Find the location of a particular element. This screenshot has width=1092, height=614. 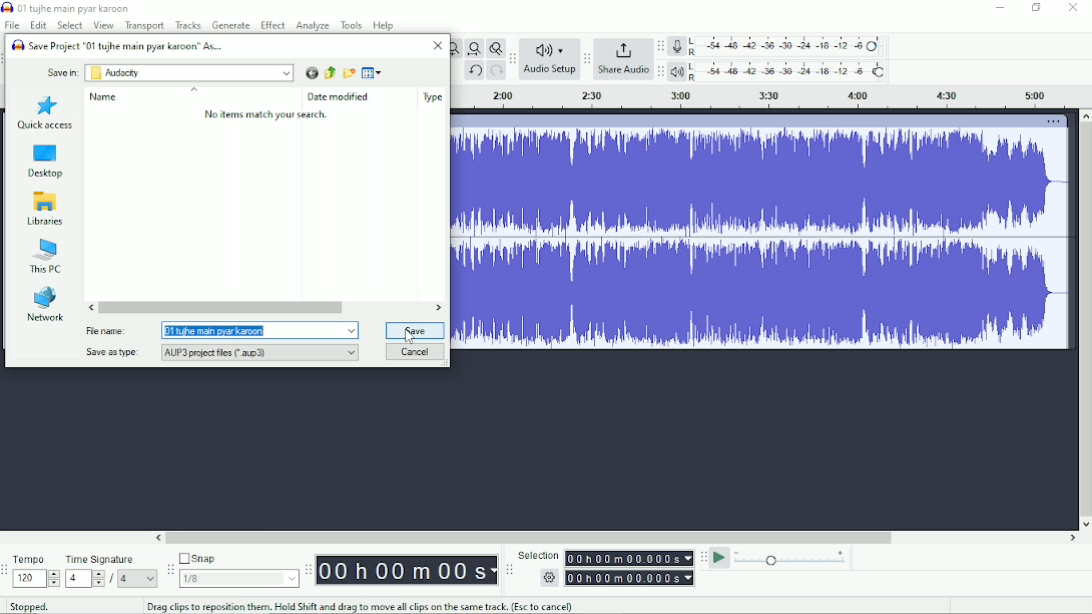

Desktop is located at coordinates (44, 161).